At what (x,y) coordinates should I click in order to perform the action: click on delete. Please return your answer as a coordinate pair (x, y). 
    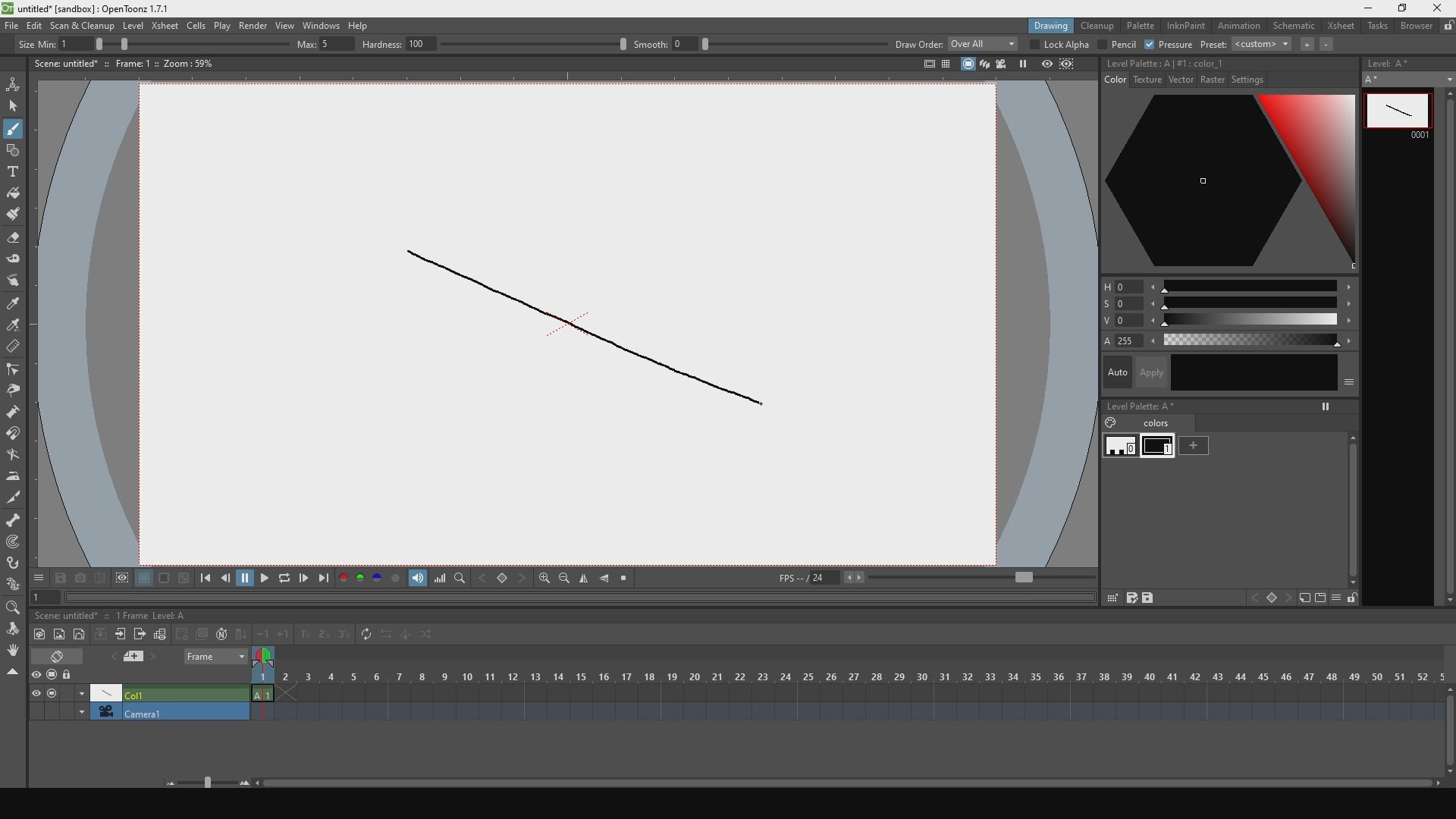
    Looking at the image, I should click on (15, 348).